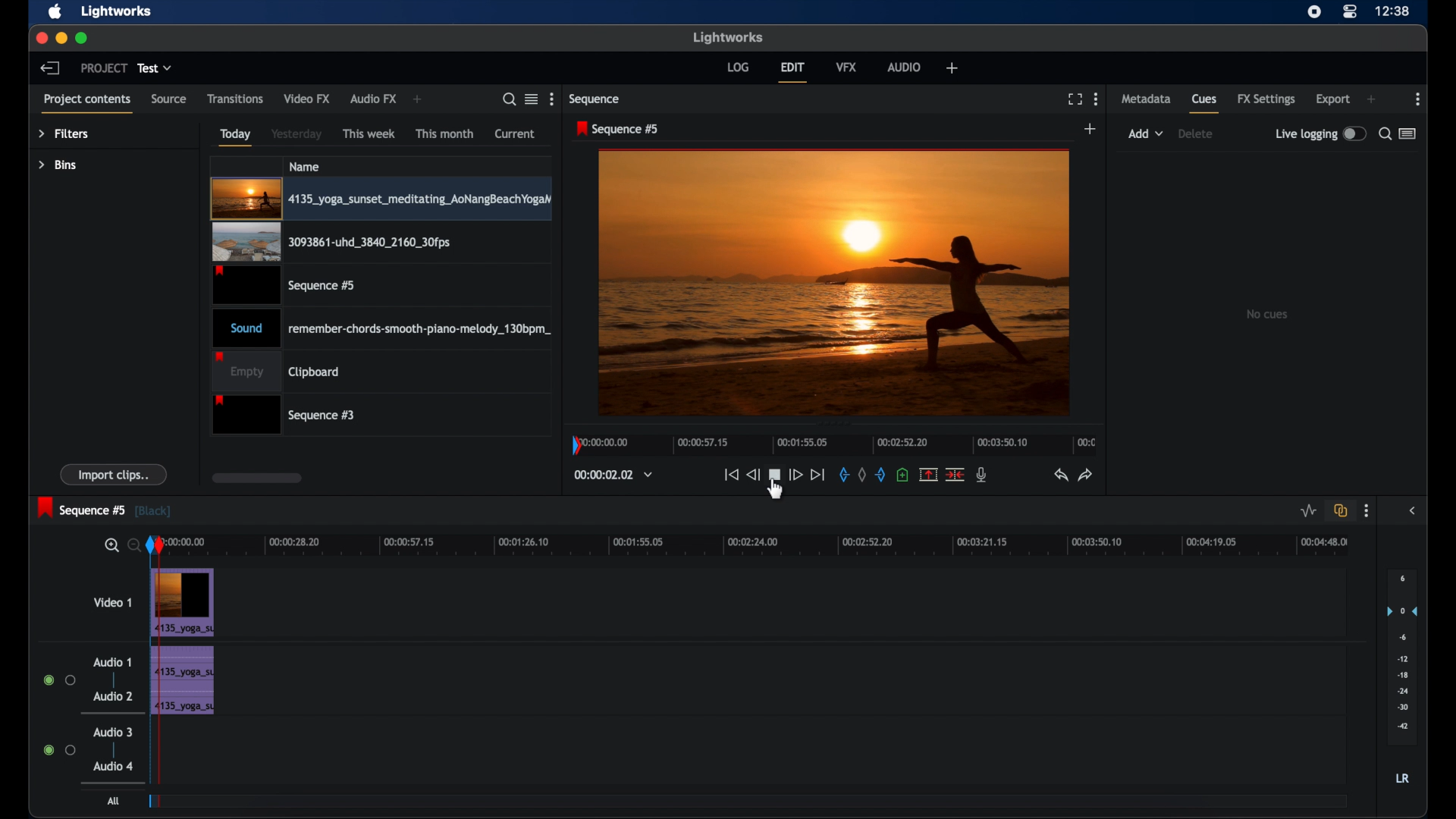  Describe the element at coordinates (552, 99) in the screenshot. I see `more options` at that location.